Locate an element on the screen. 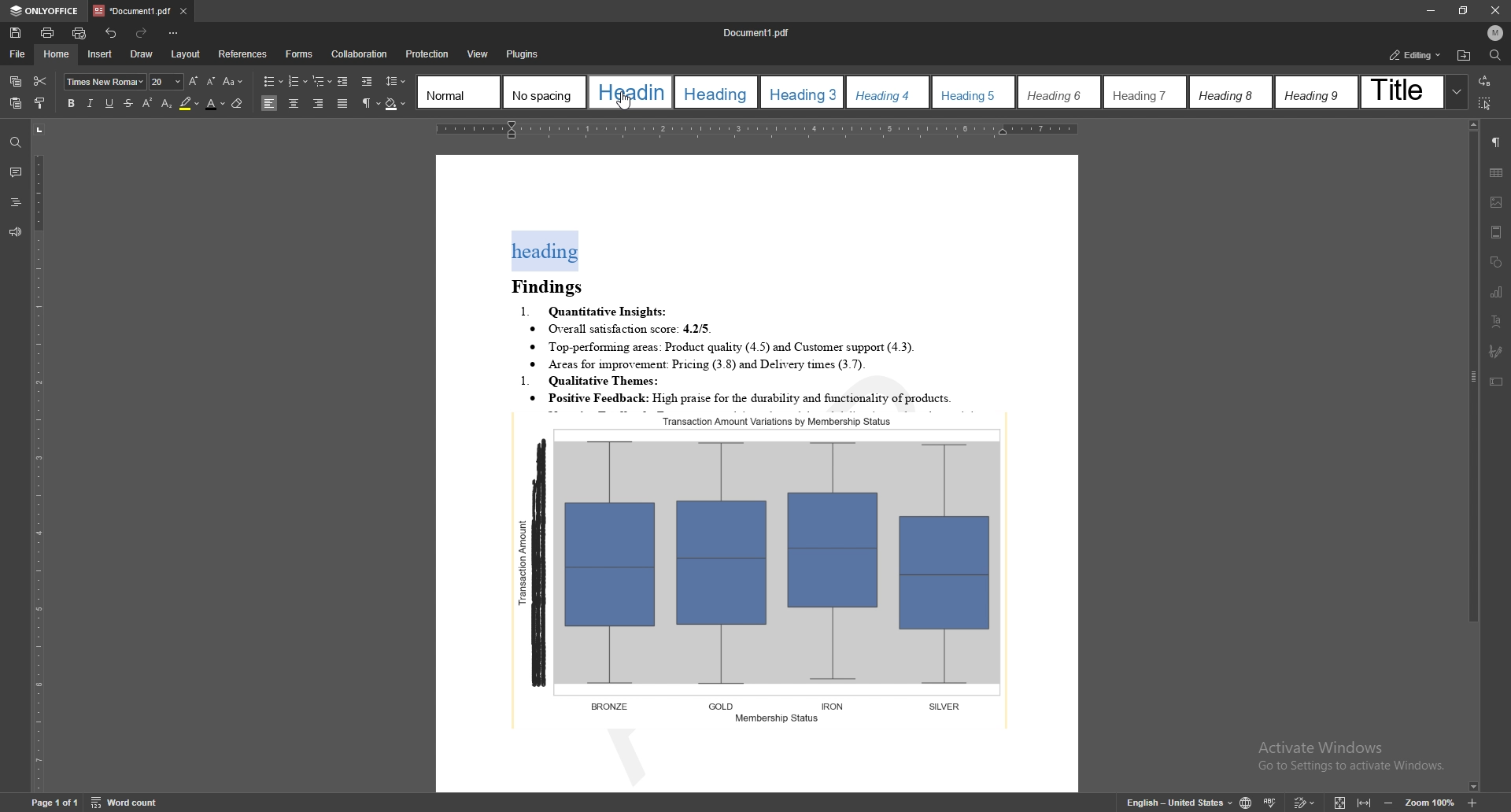 This screenshot has height=812, width=1511. track change is located at coordinates (1304, 802).